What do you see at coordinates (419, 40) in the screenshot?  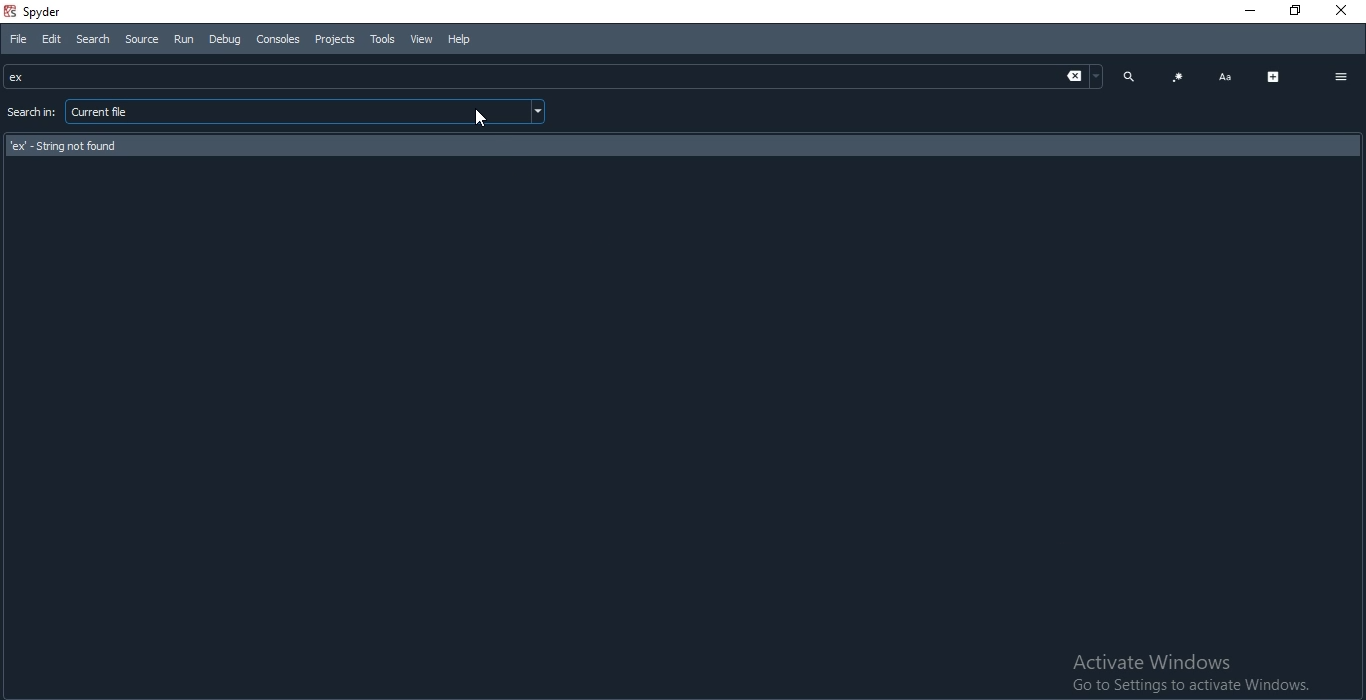 I see `View` at bounding box center [419, 40].